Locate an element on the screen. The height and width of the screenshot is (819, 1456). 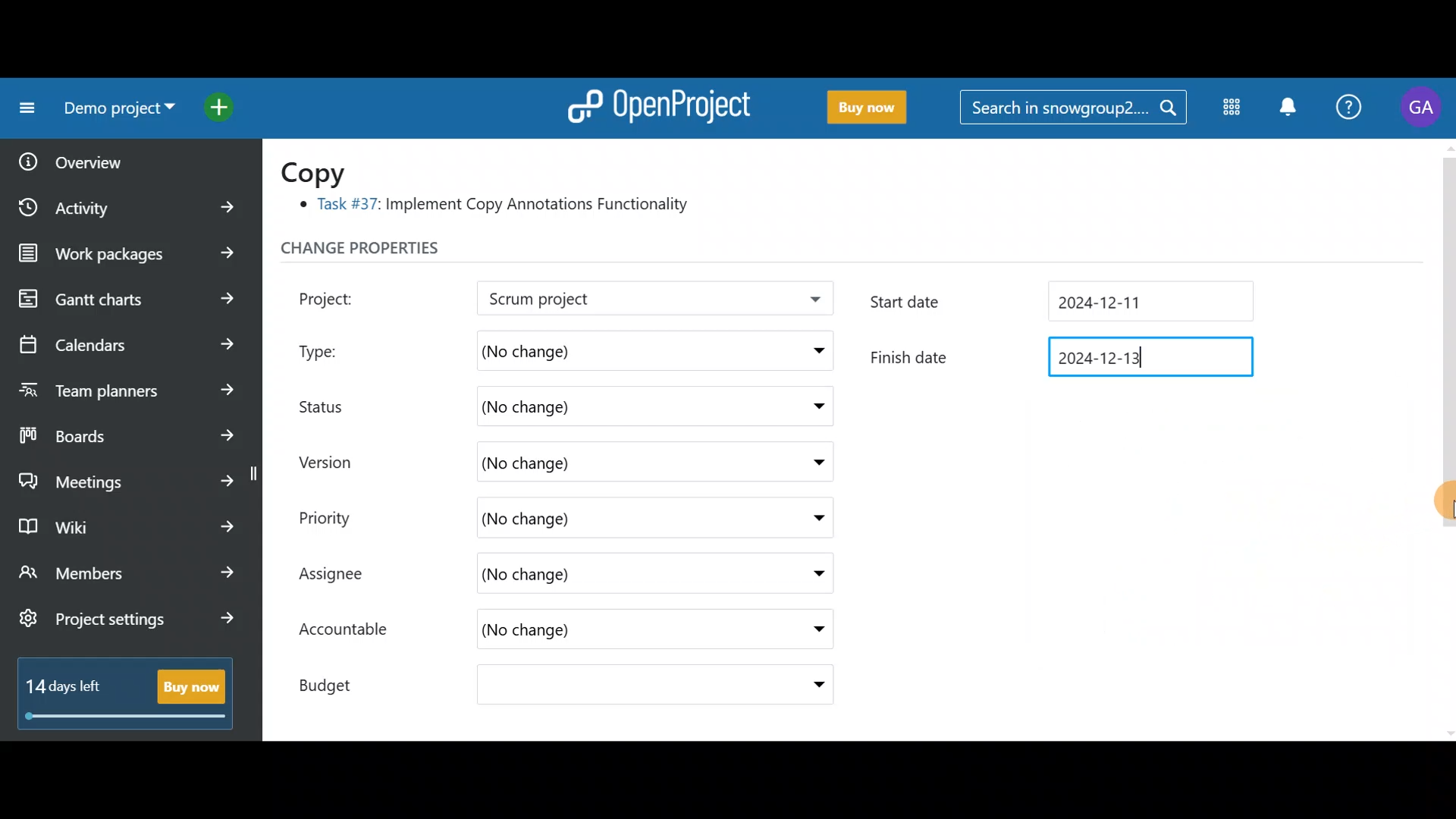
Cursor is located at coordinates (1439, 499).